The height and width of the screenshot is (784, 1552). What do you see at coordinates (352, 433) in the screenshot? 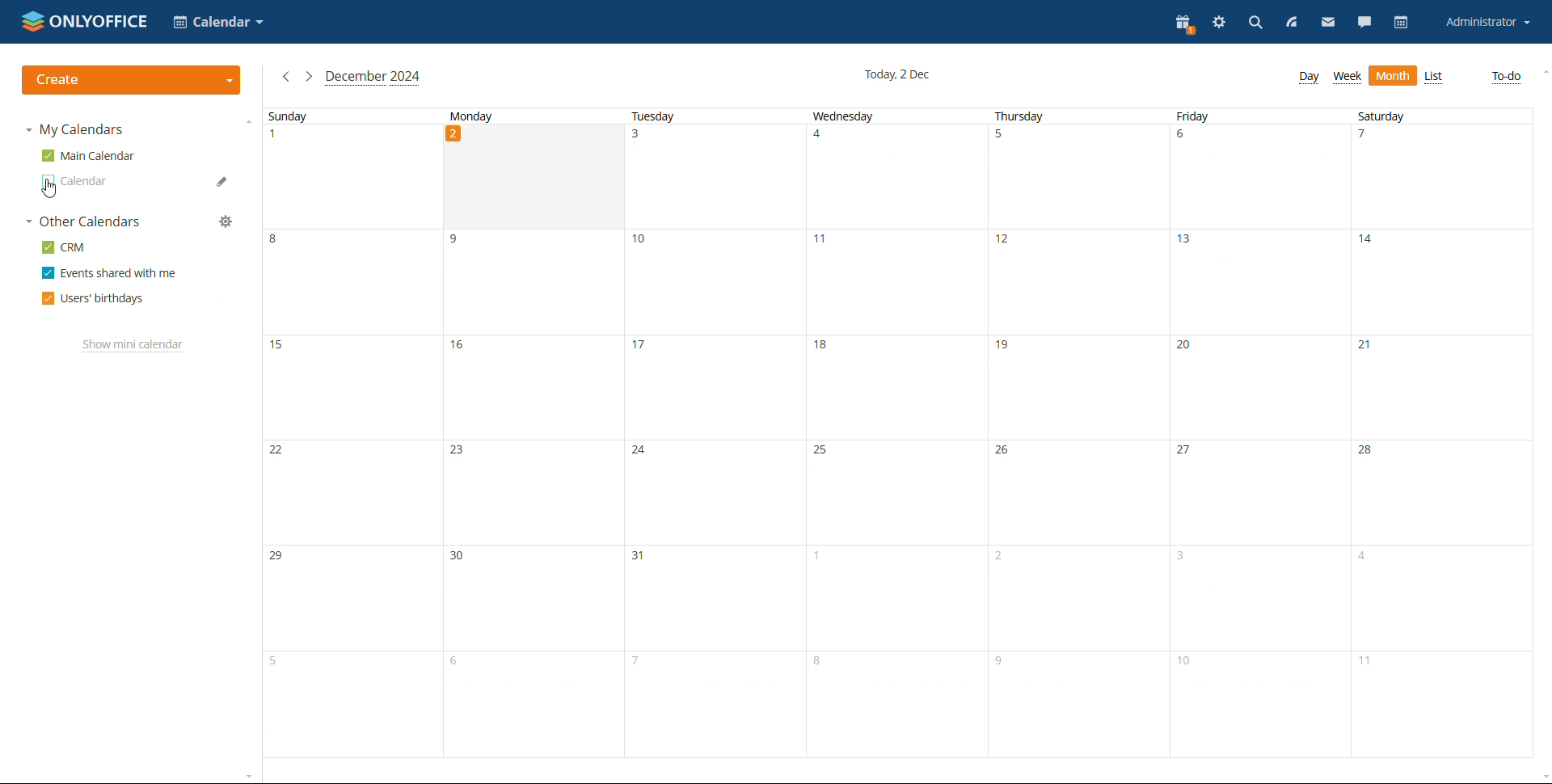
I see `sunday` at bounding box center [352, 433].